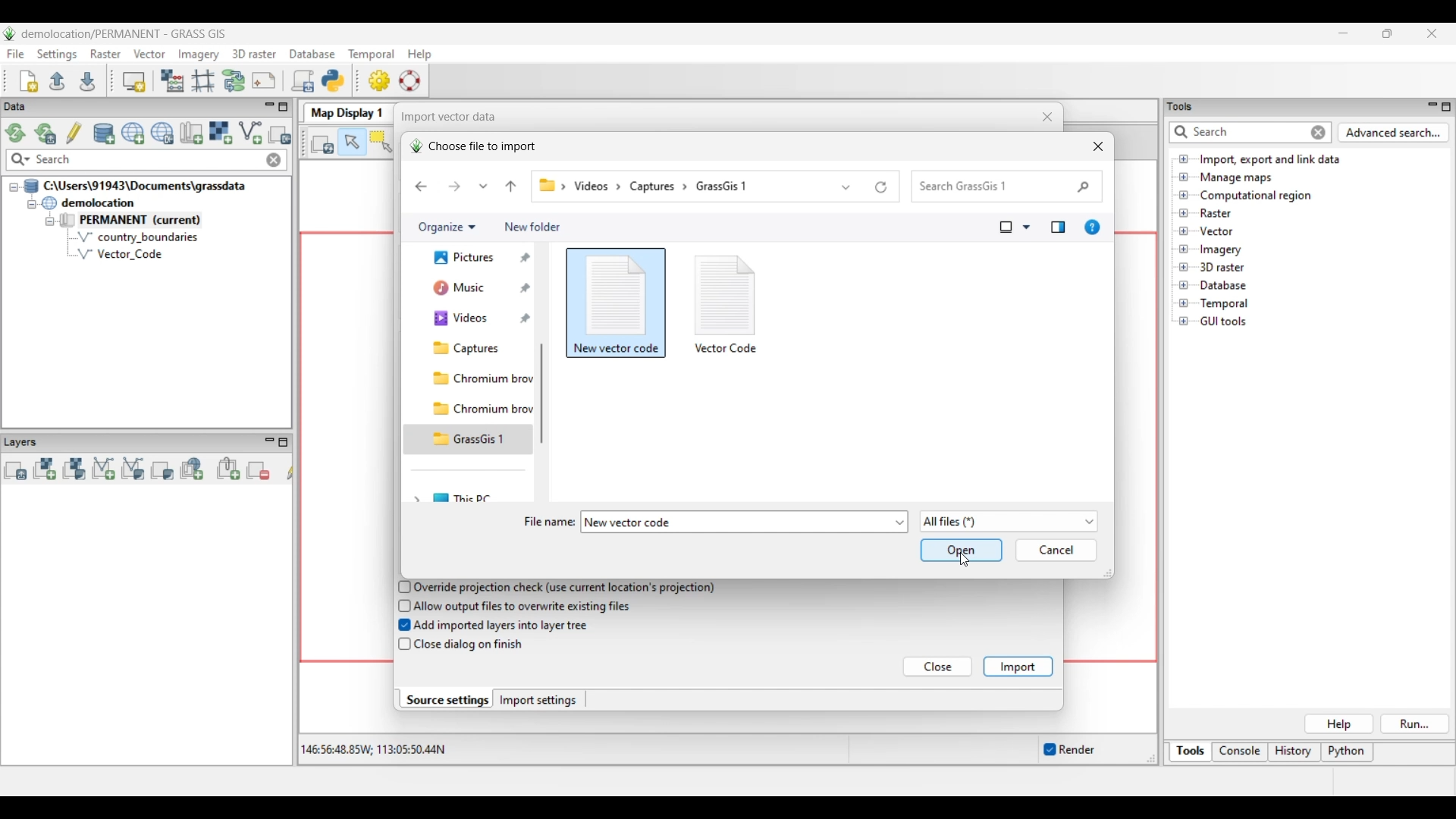  I want to click on tools, so click(1185, 105).